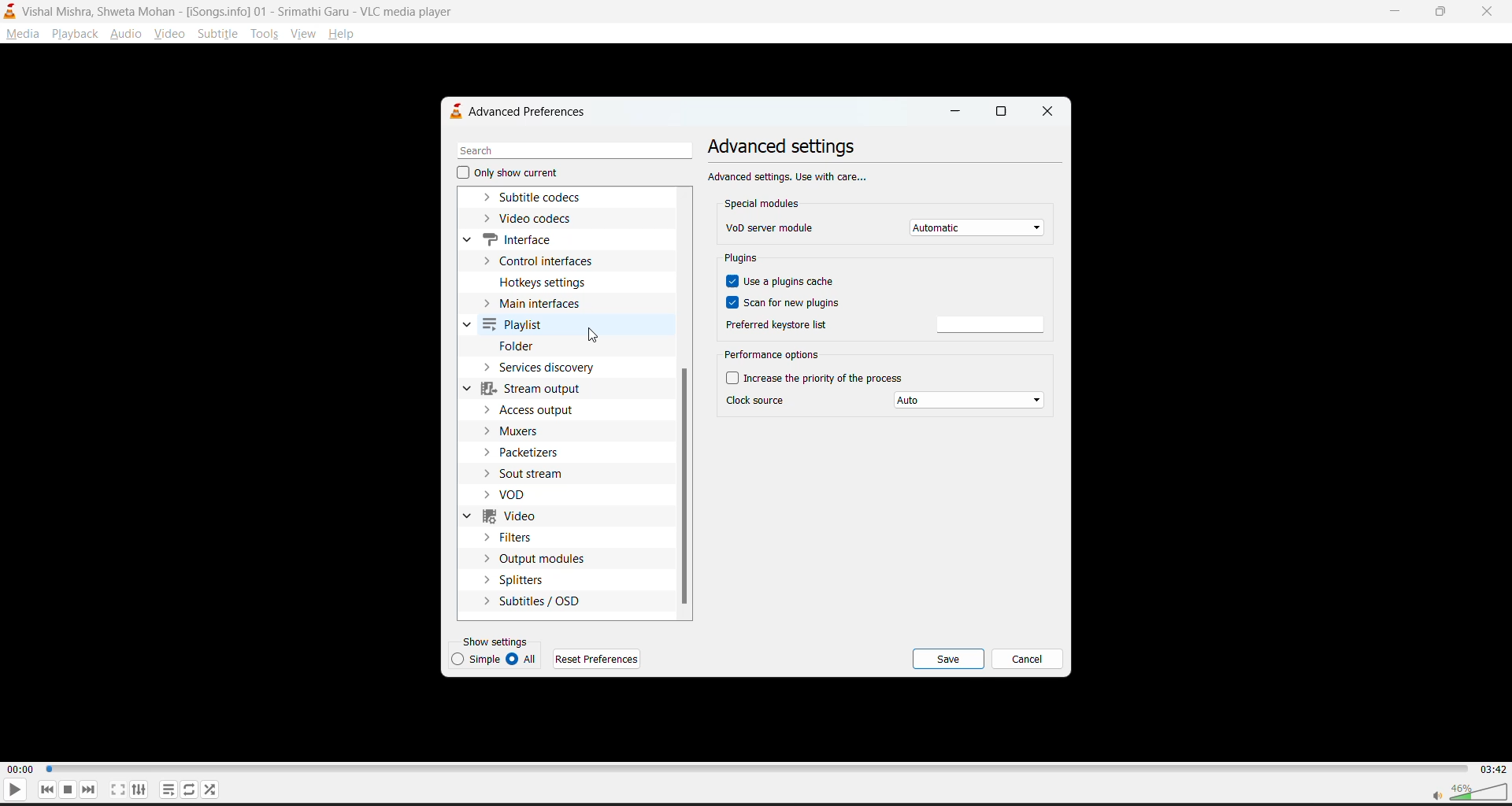  What do you see at coordinates (1030, 659) in the screenshot?
I see `cancel` at bounding box center [1030, 659].